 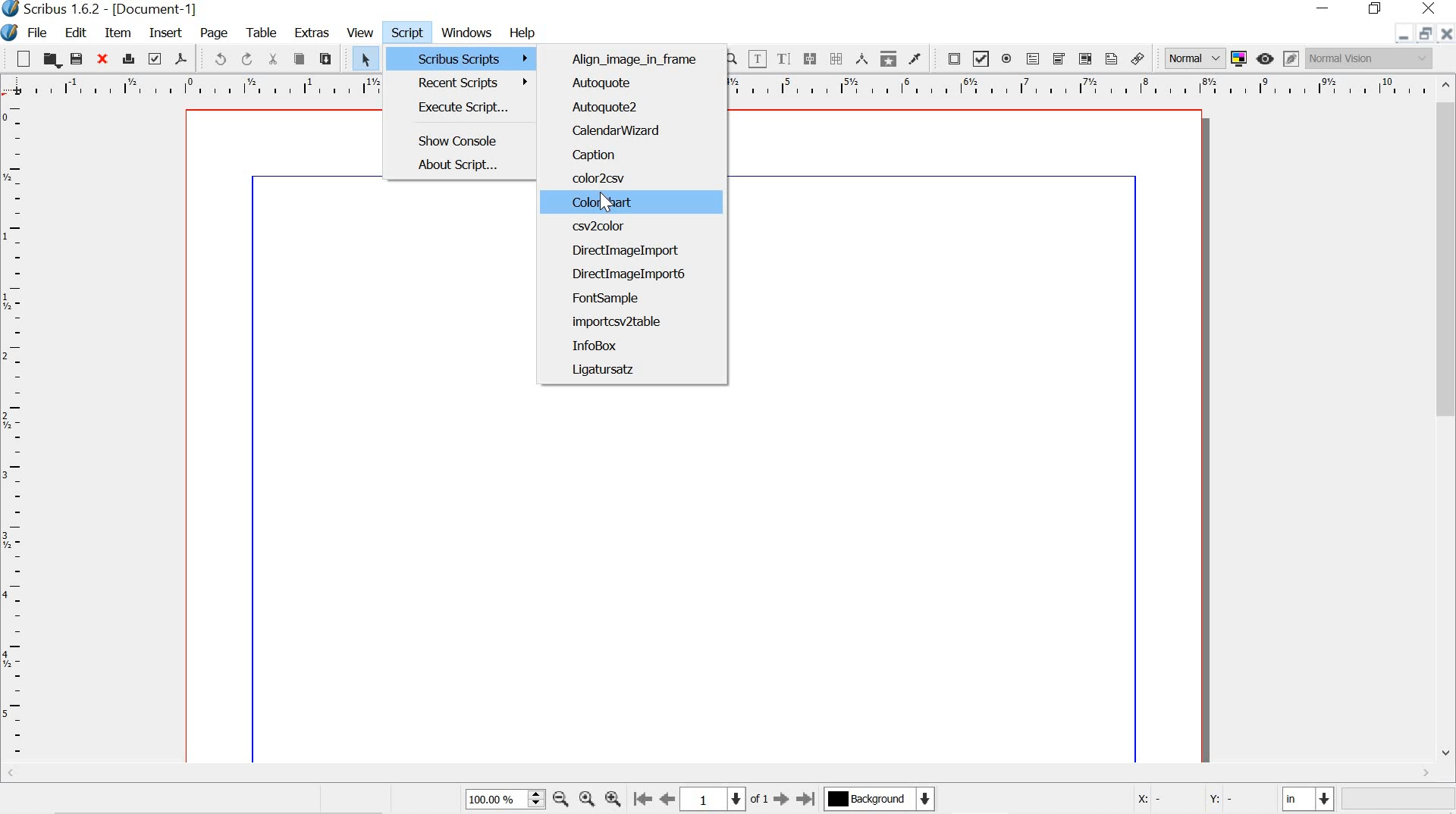 I want to click on directimageimport6, so click(x=629, y=275).